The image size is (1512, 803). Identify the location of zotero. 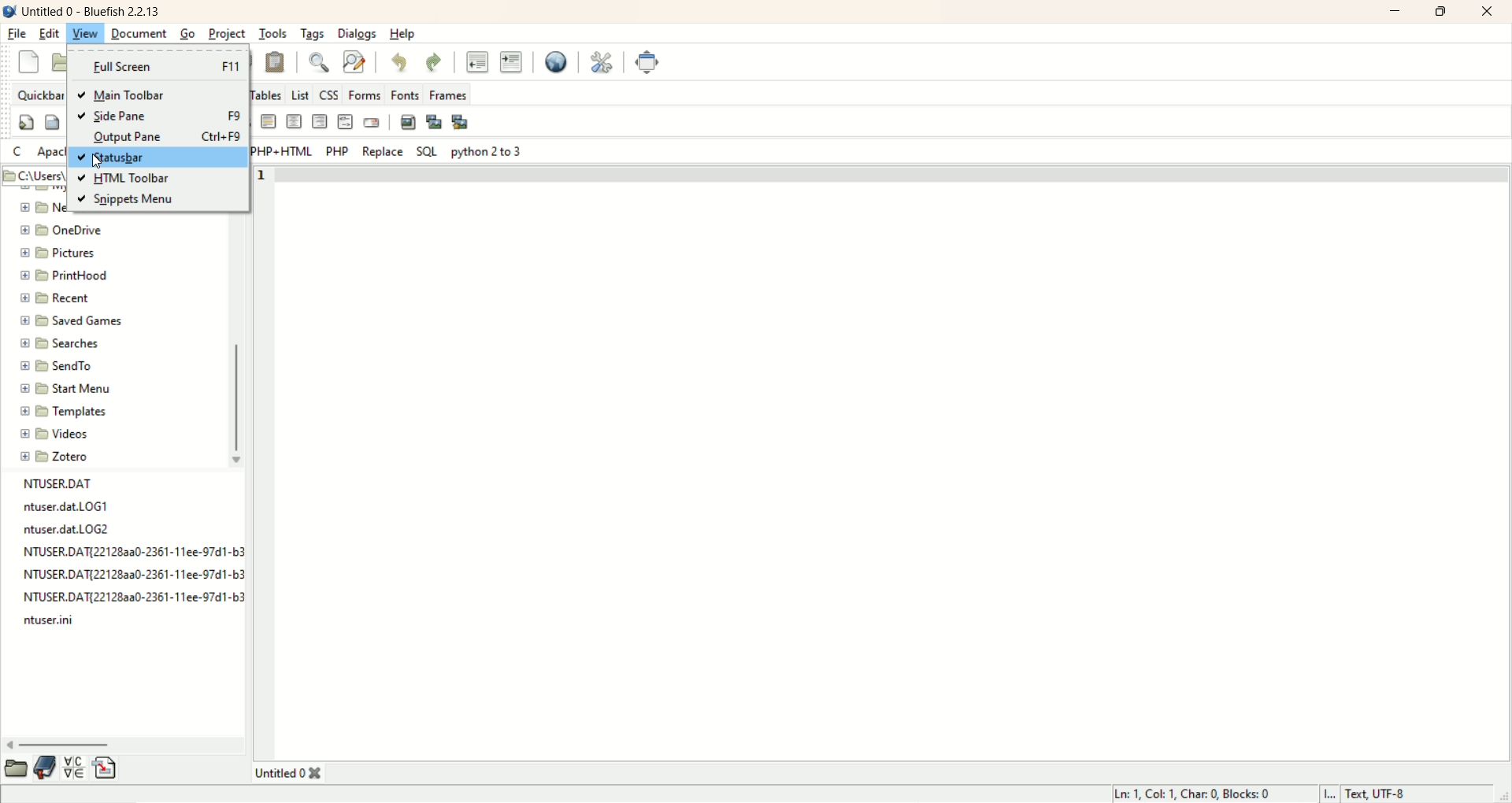
(57, 457).